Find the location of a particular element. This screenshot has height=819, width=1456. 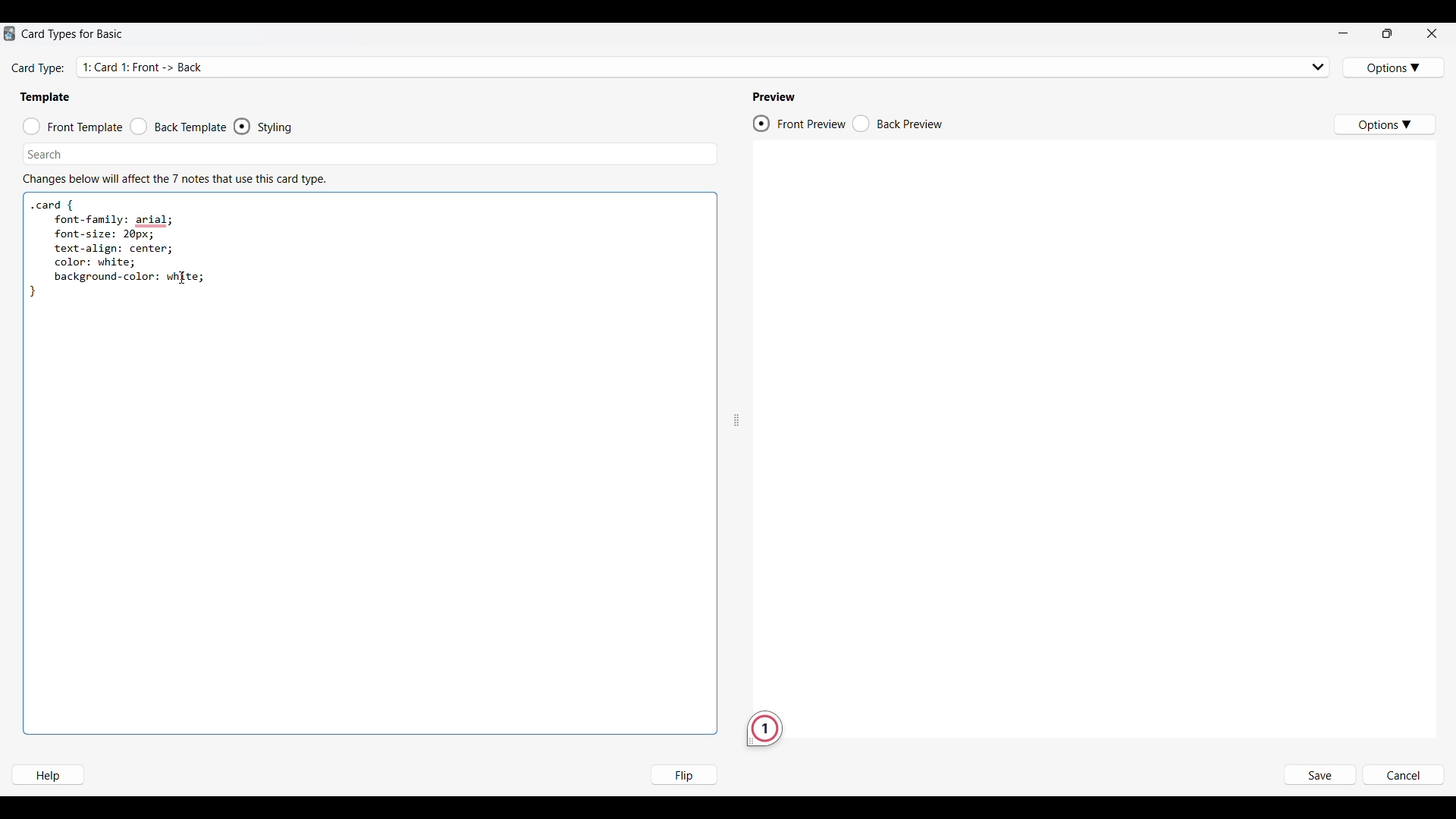

Description of section is located at coordinates (174, 179).